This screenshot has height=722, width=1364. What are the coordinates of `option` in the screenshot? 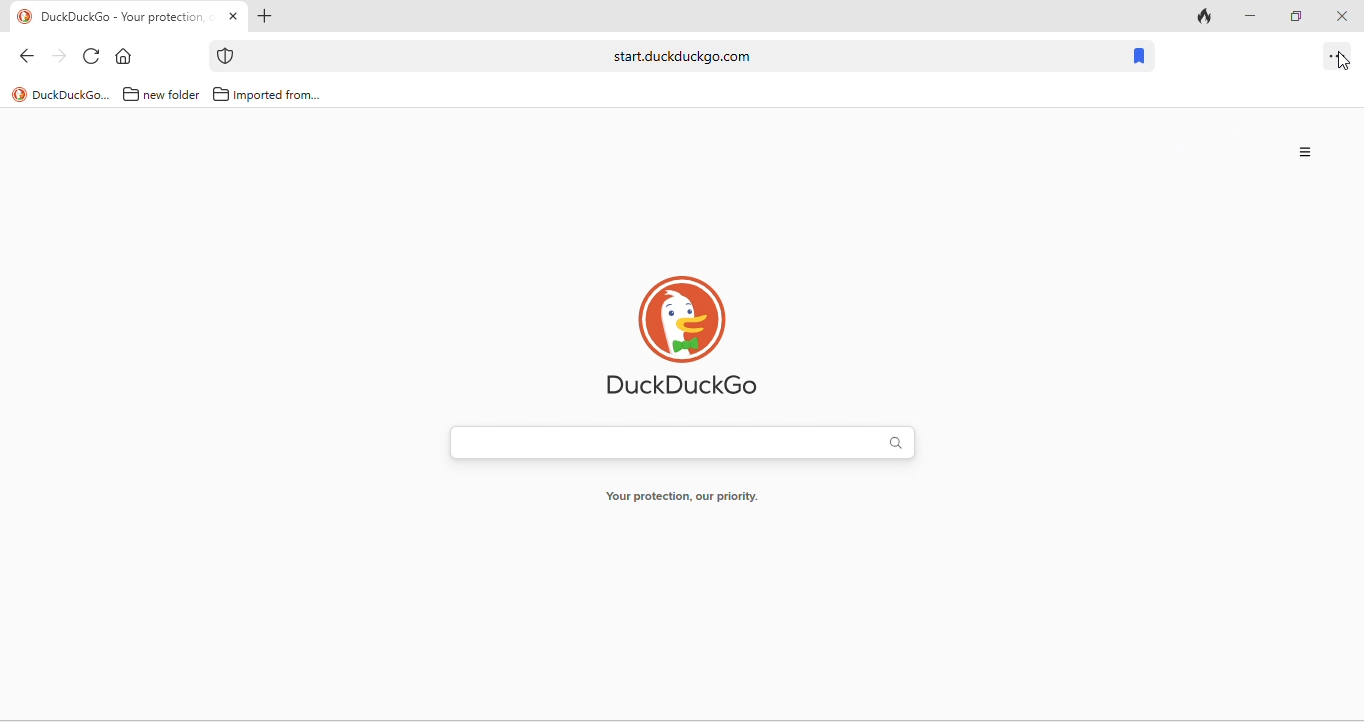 It's located at (1307, 153).